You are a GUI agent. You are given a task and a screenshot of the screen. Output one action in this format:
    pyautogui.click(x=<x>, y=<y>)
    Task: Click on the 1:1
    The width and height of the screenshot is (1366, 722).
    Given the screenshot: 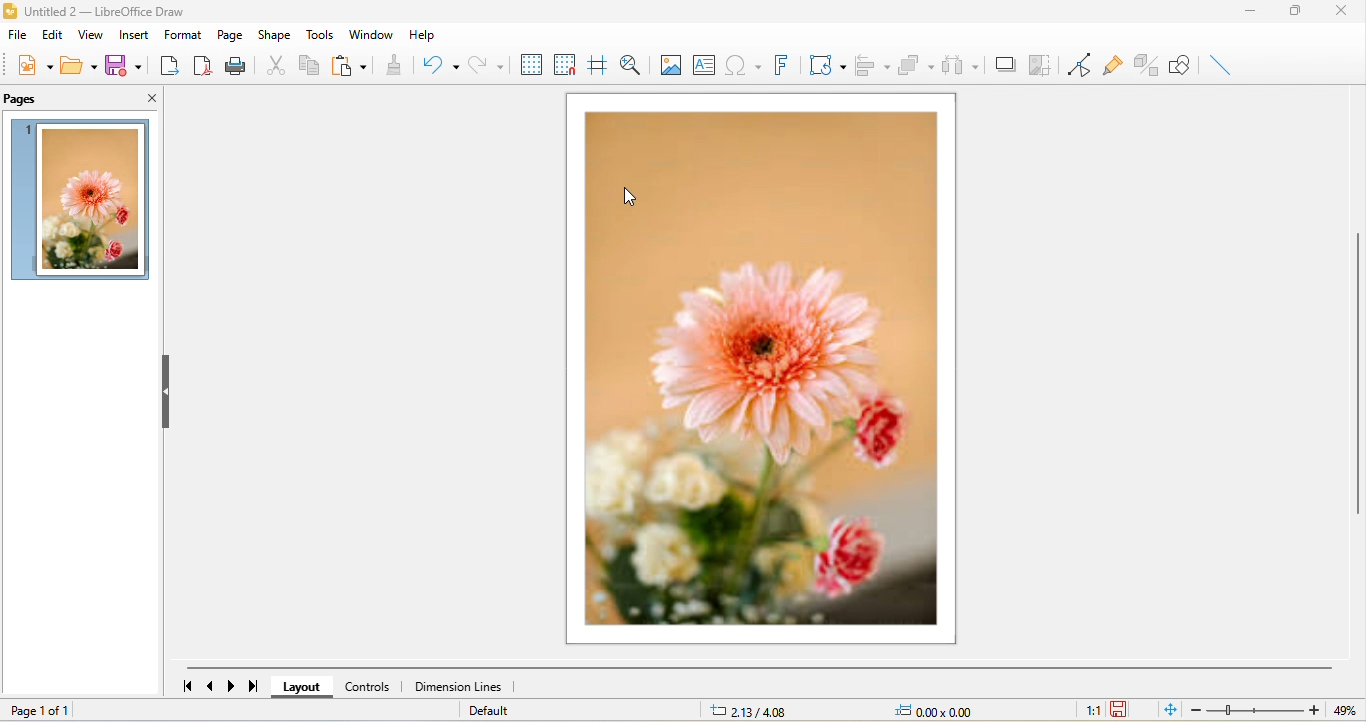 What is the action you would take?
    pyautogui.click(x=1092, y=712)
    